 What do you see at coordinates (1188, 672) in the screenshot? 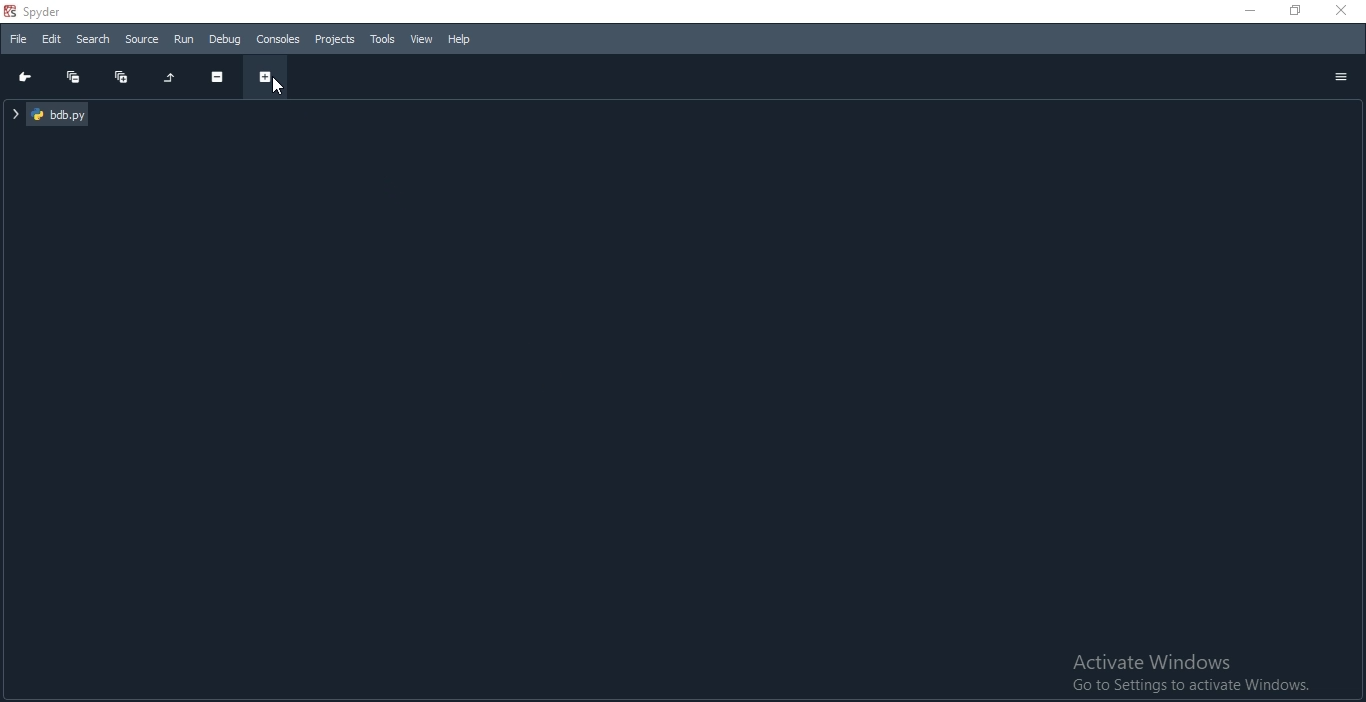
I see `Activate Windows
Go to Settings to activate Windows.` at bounding box center [1188, 672].